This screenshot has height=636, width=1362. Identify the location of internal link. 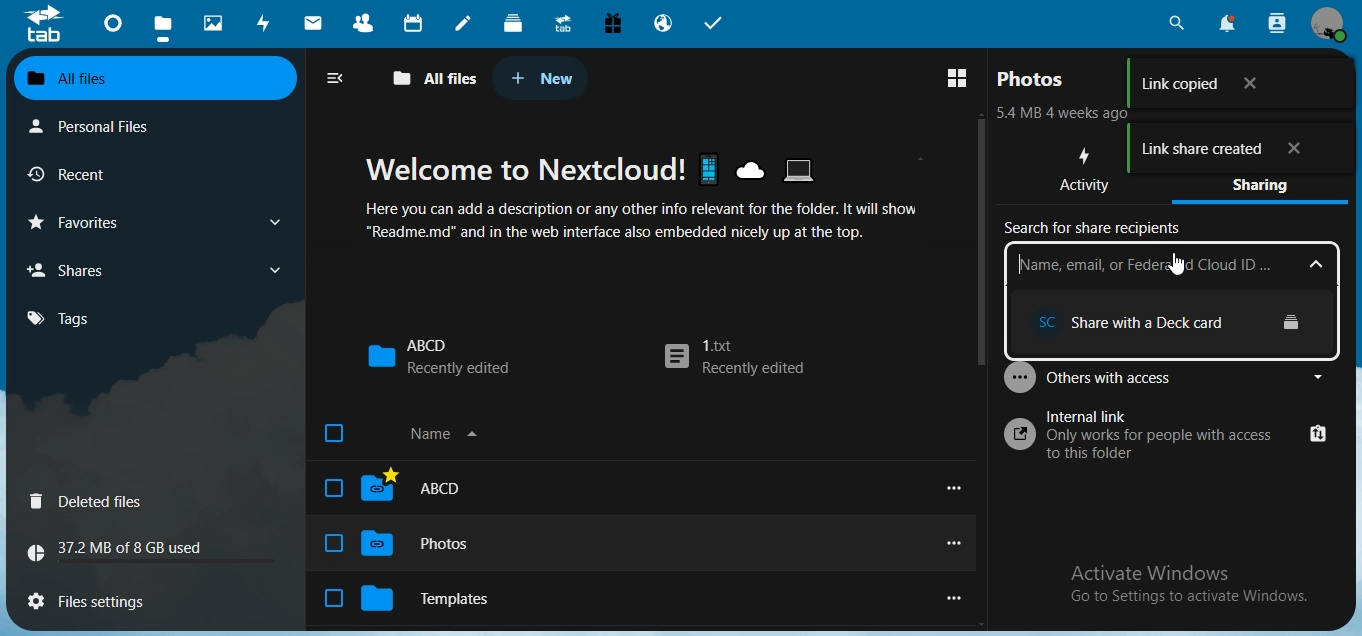
(1168, 437).